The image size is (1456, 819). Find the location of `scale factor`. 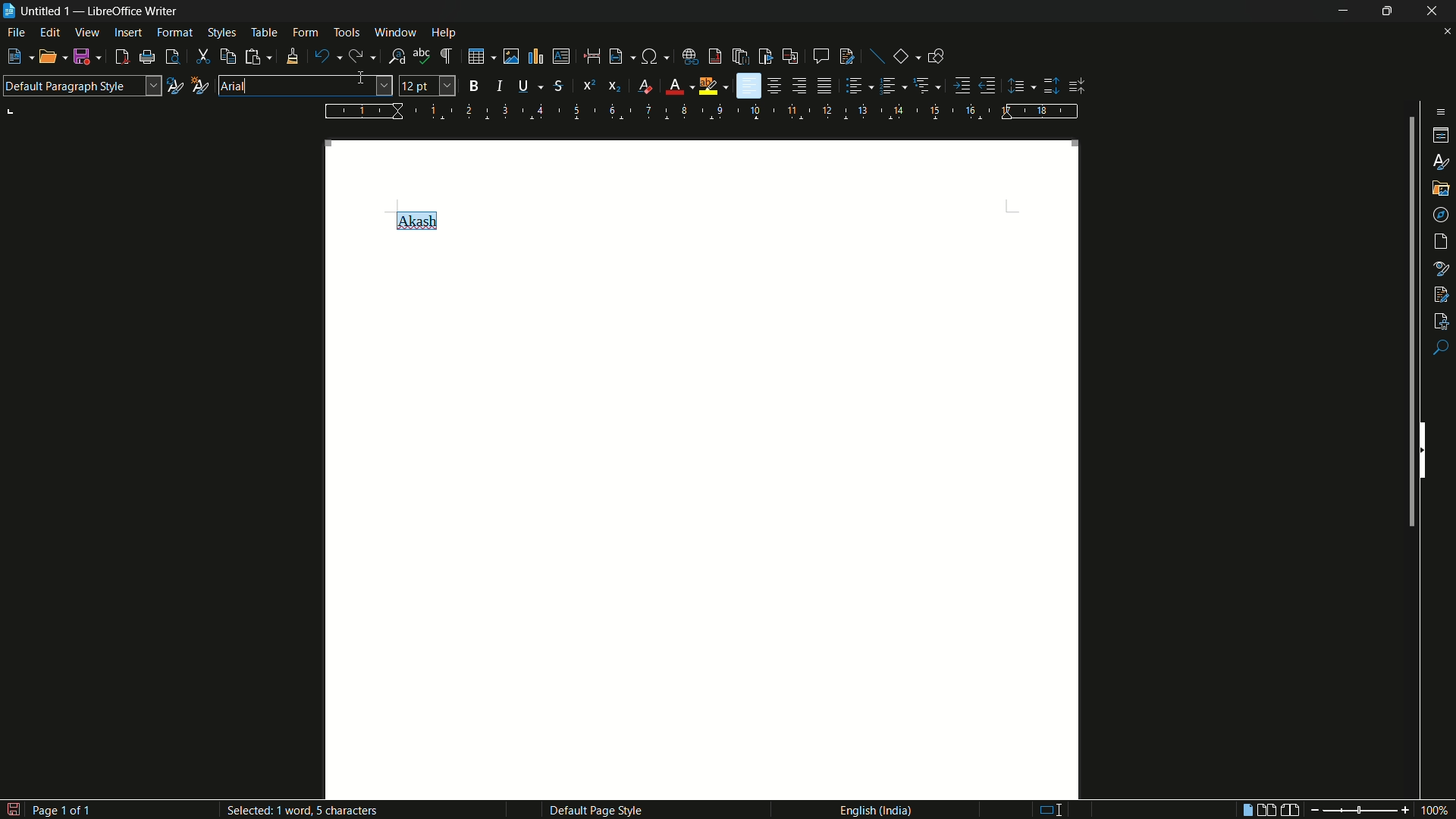

scale factor is located at coordinates (1436, 811).